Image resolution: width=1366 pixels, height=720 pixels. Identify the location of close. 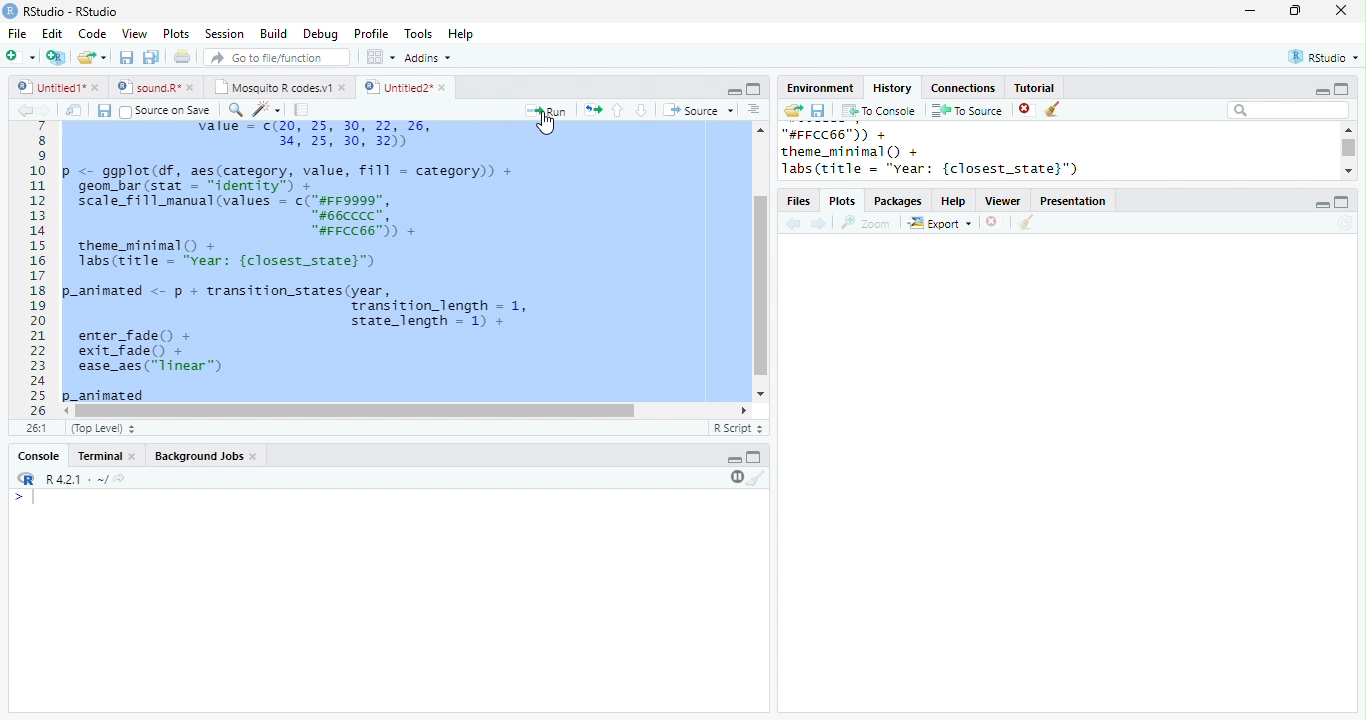
(443, 87).